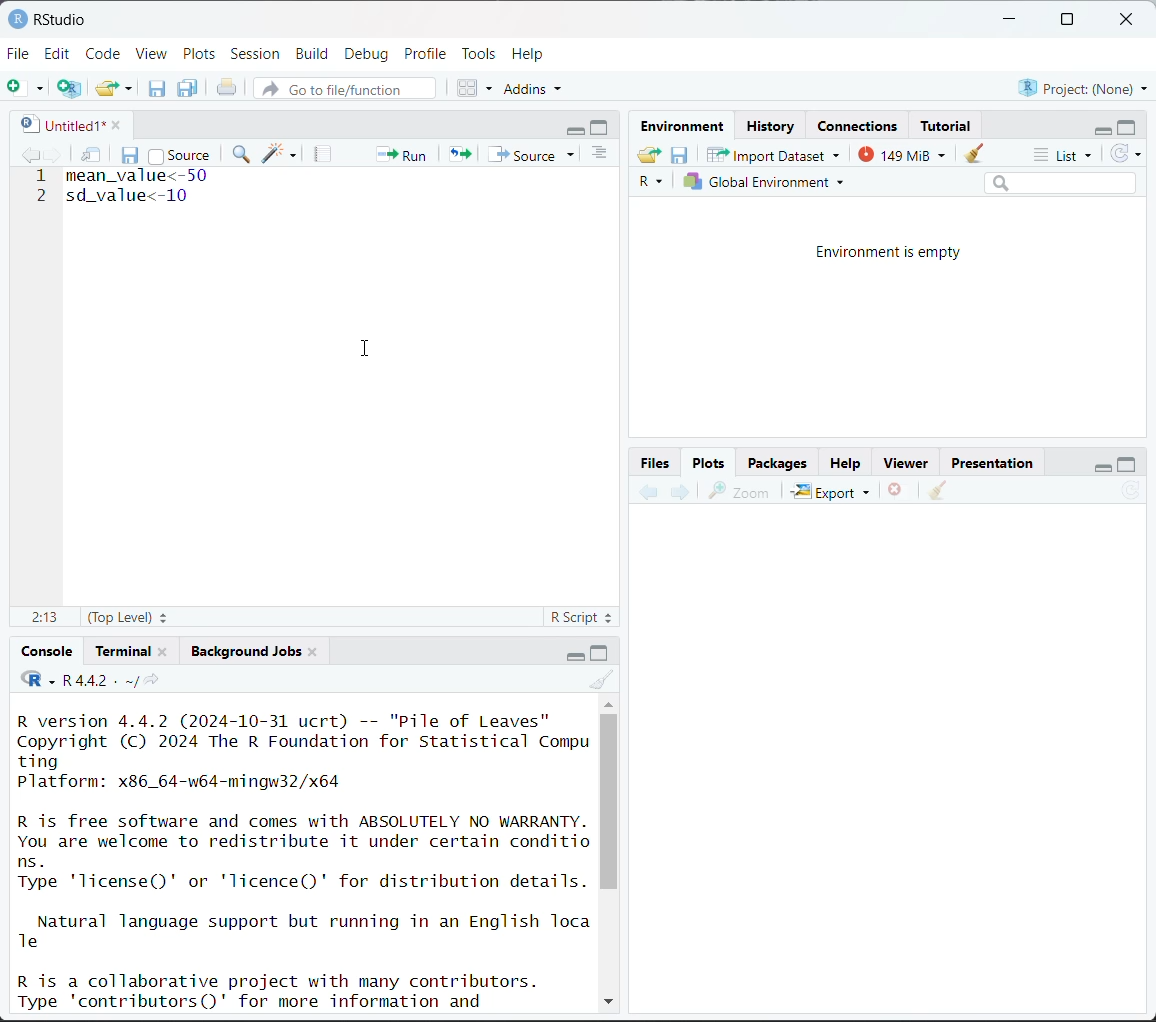 The width and height of the screenshot is (1156, 1022). I want to click on Terminal, so click(125, 648).